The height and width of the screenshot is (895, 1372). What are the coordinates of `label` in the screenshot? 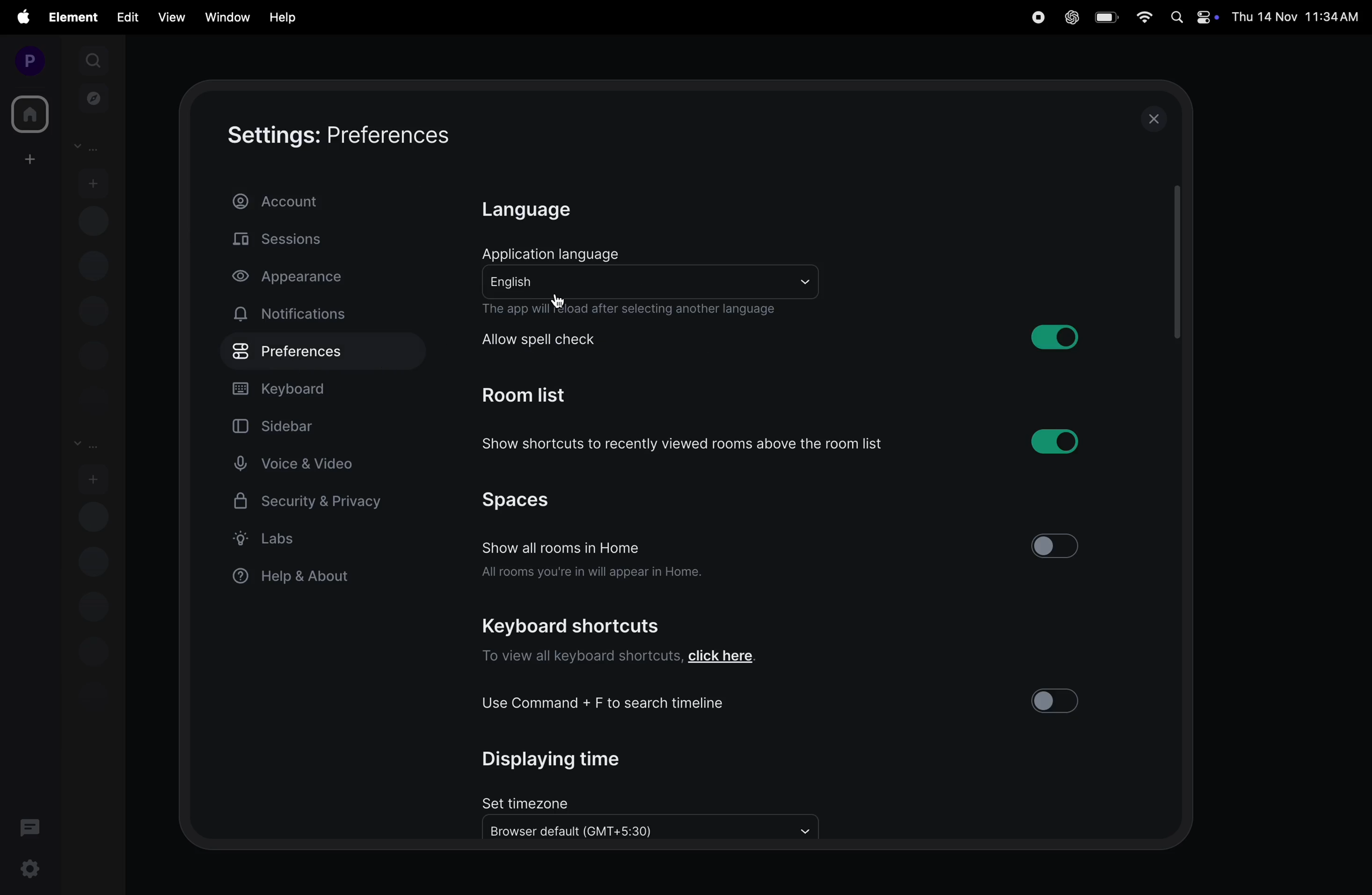 It's located at (286, 541).